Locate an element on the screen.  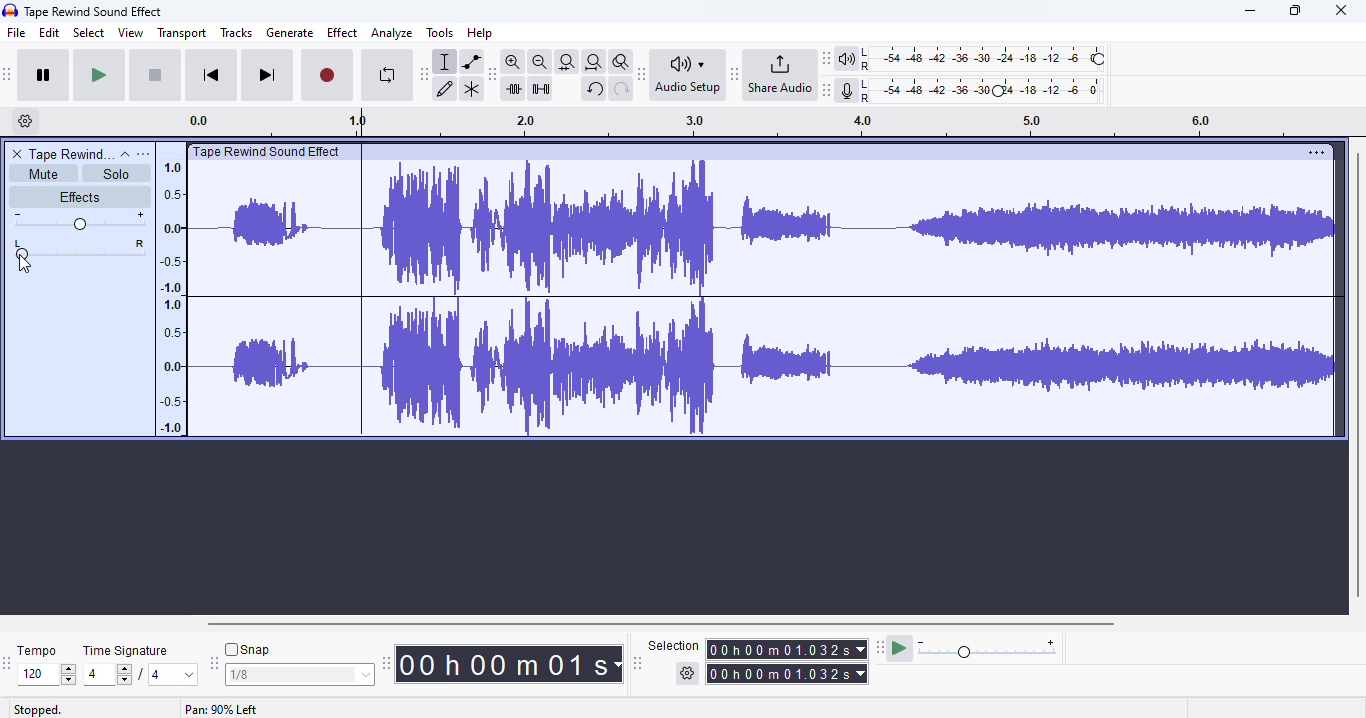
fit selection to width is located at coordinates (567, 63).